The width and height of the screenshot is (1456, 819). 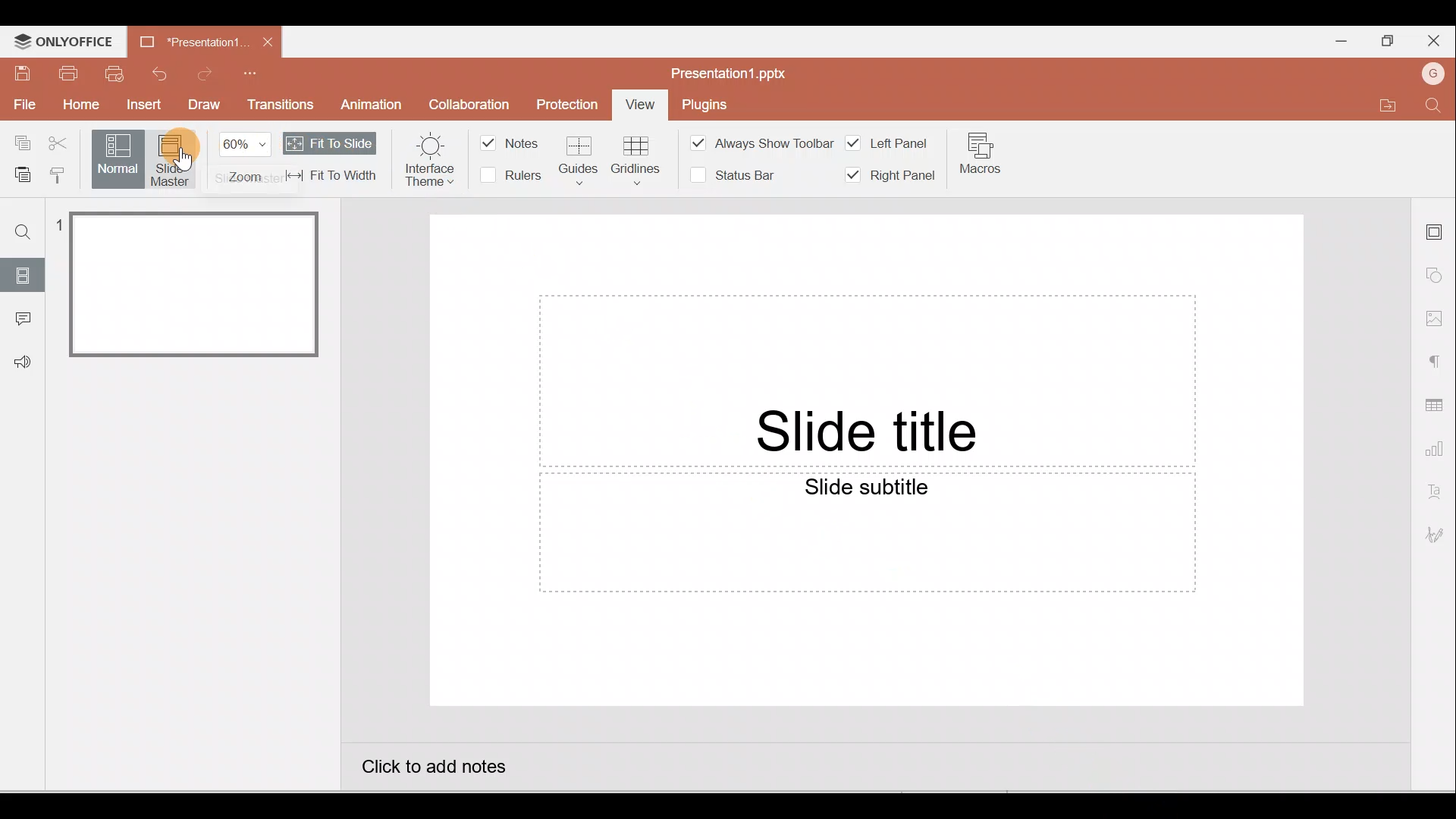 What do you see at coordinates (1437, 404) in the screenshot?
I see `Table settings` at bounding box center [1437, 404].